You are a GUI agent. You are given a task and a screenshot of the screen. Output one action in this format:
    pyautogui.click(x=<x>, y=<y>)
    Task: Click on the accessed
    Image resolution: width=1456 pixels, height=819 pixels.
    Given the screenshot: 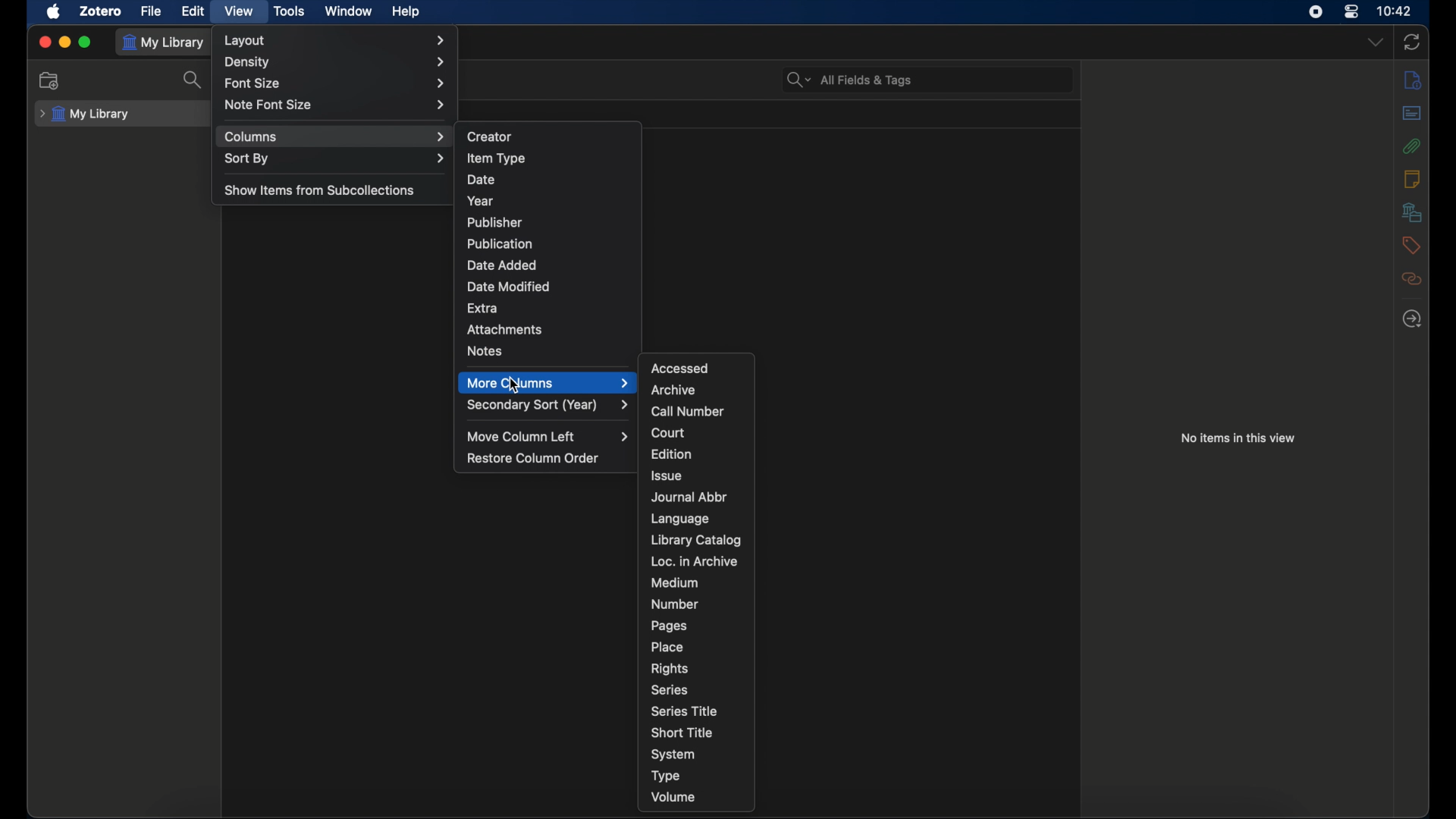 What is the action you would take?
    pyautogui.click(x=681, y=368)
    